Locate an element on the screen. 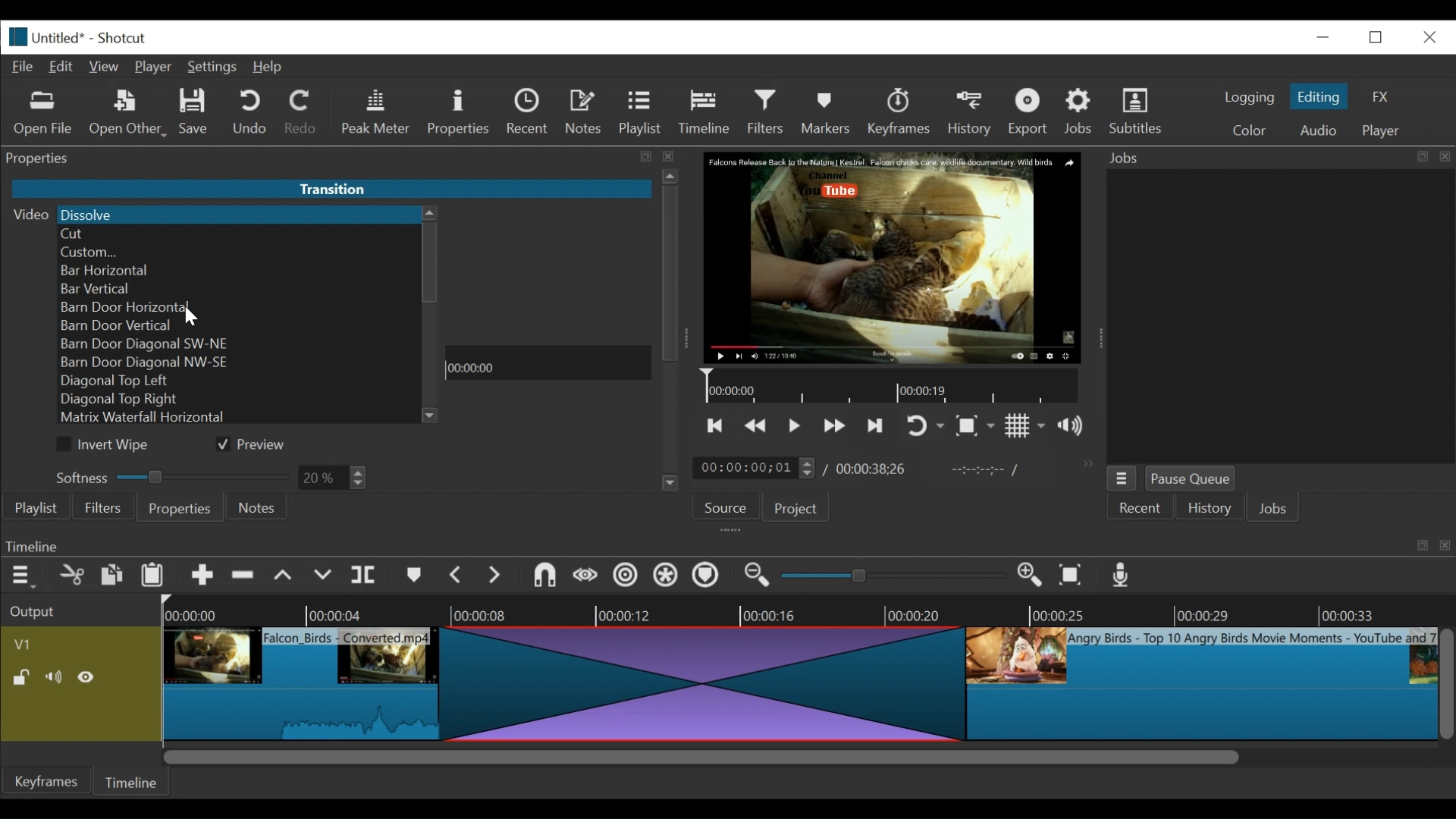 Image resolution: width=1456 pixels, height=819 pixels. Ripple all tracks is located at coordinates (665, 577).